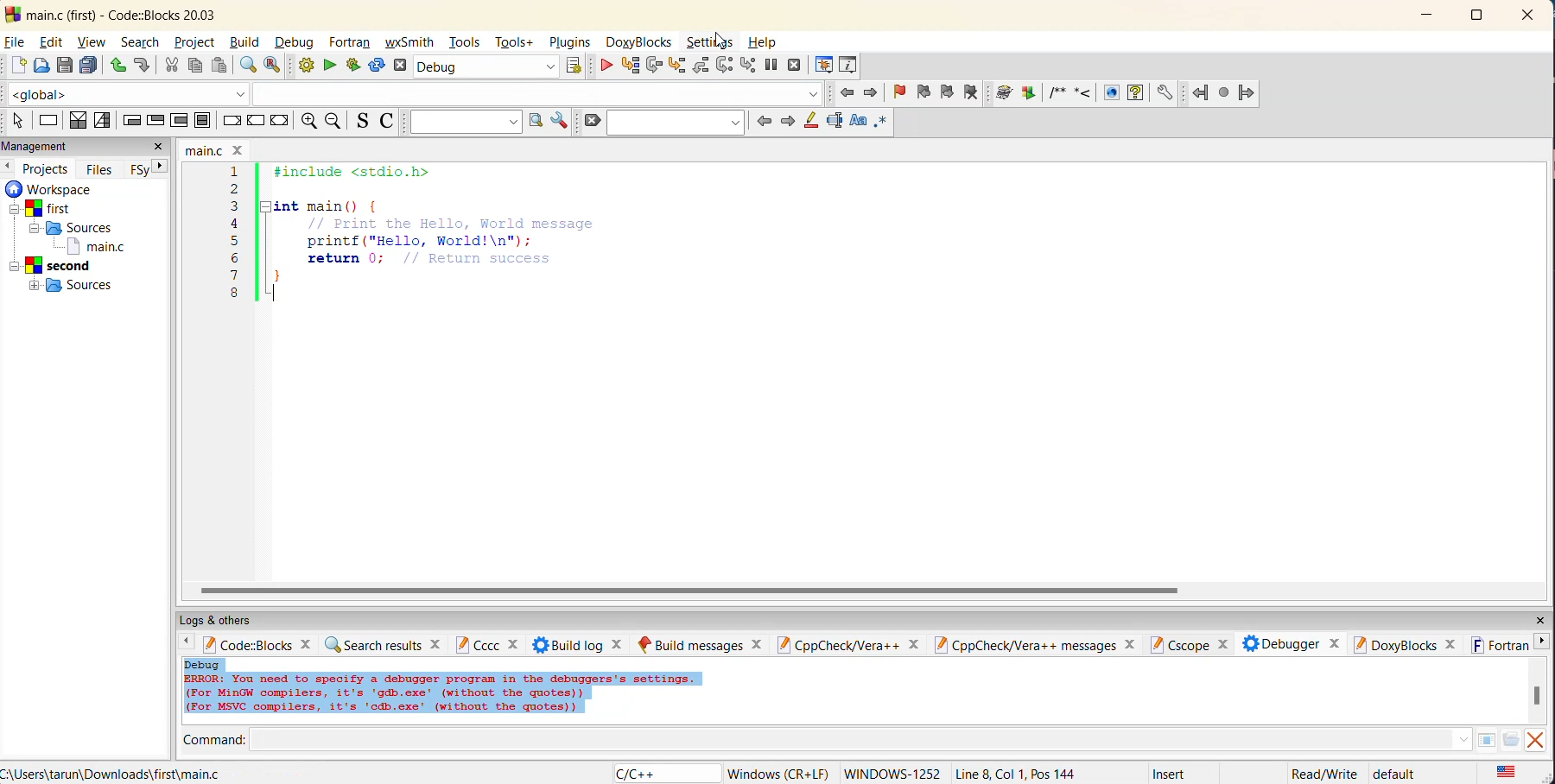  What do you see at coordinates (274, 67) in the screenshot?
I see `replace` at bounding box center [274, 67].